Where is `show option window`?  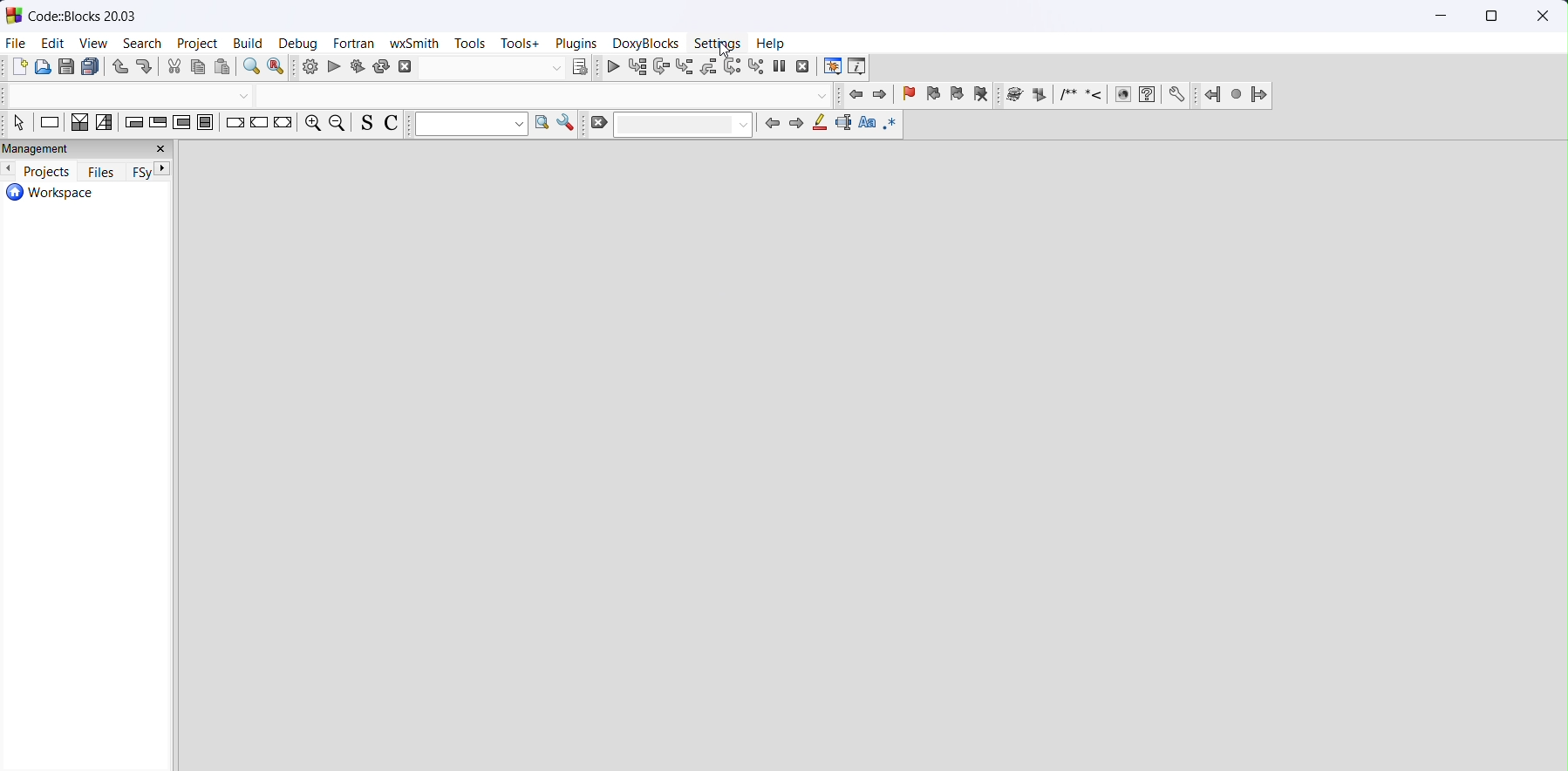
show option window is located at coordinates (569, 125).